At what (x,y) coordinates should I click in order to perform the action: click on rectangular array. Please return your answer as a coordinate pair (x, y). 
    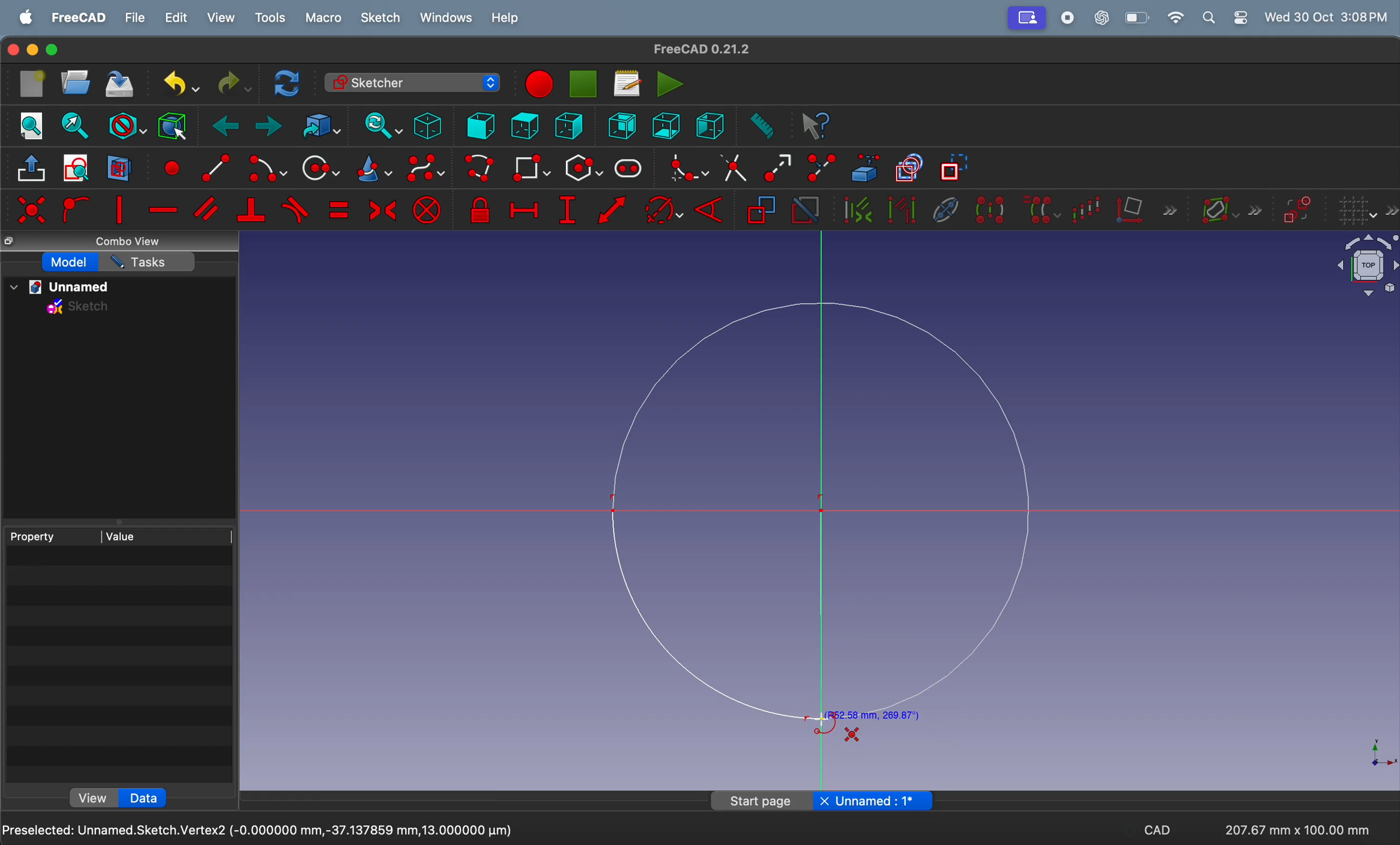
    Looking at the image, I should click on (1090, 208).